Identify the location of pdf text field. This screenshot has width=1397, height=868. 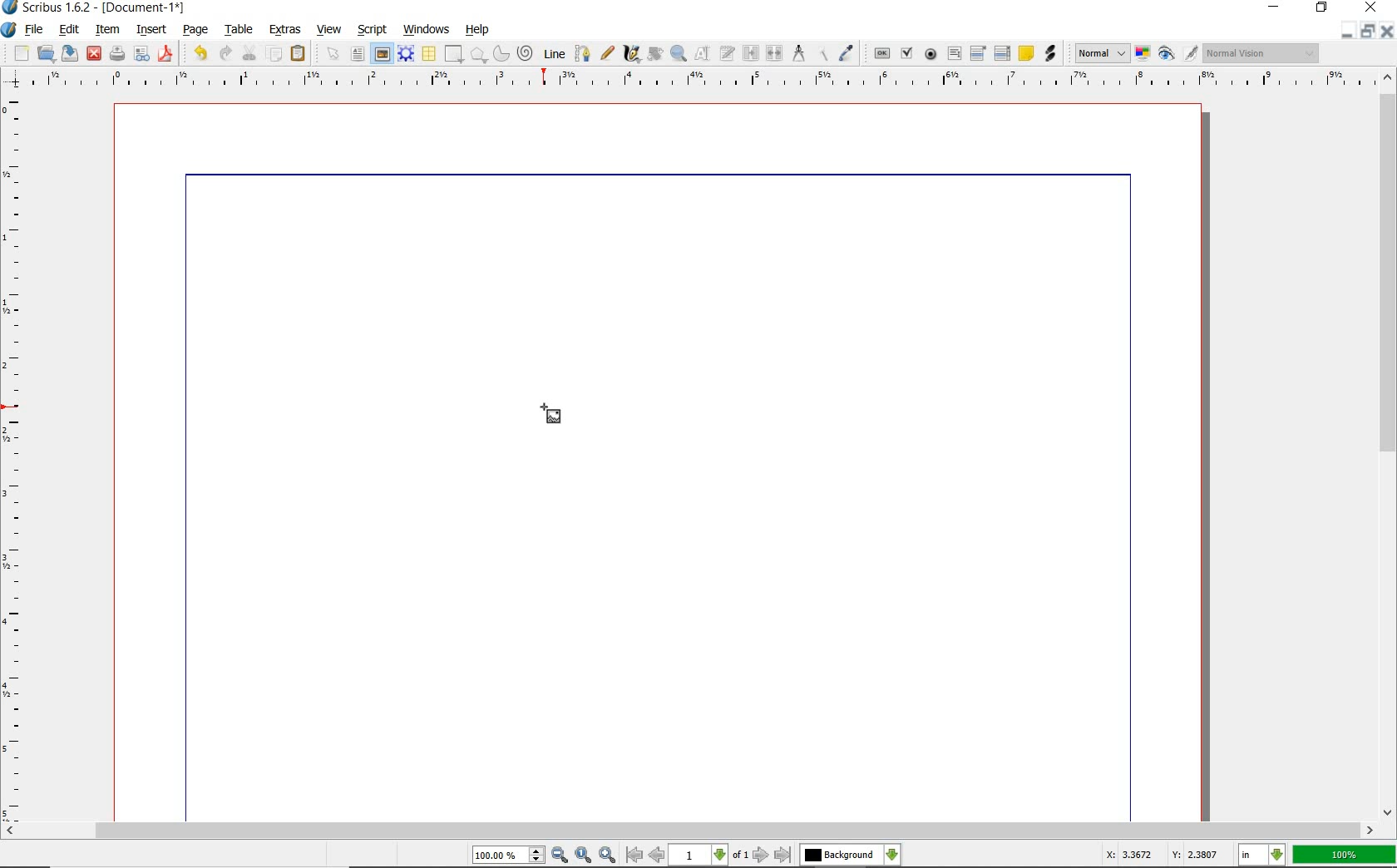
(953, 53).